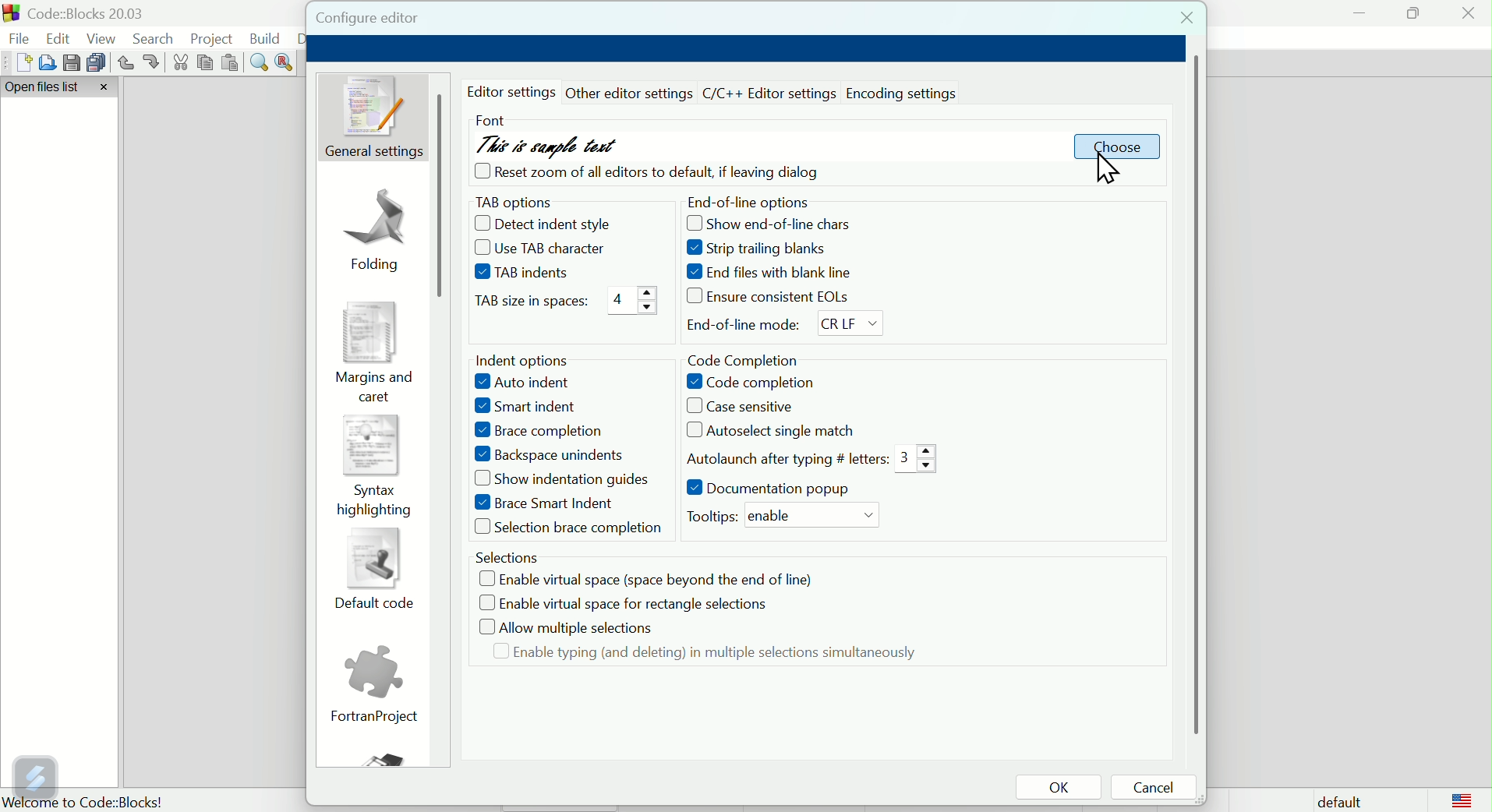  What do you see at coordinates (530, 201) in the screenshot?
I see `Tab option` at bounding box center [530, 201].